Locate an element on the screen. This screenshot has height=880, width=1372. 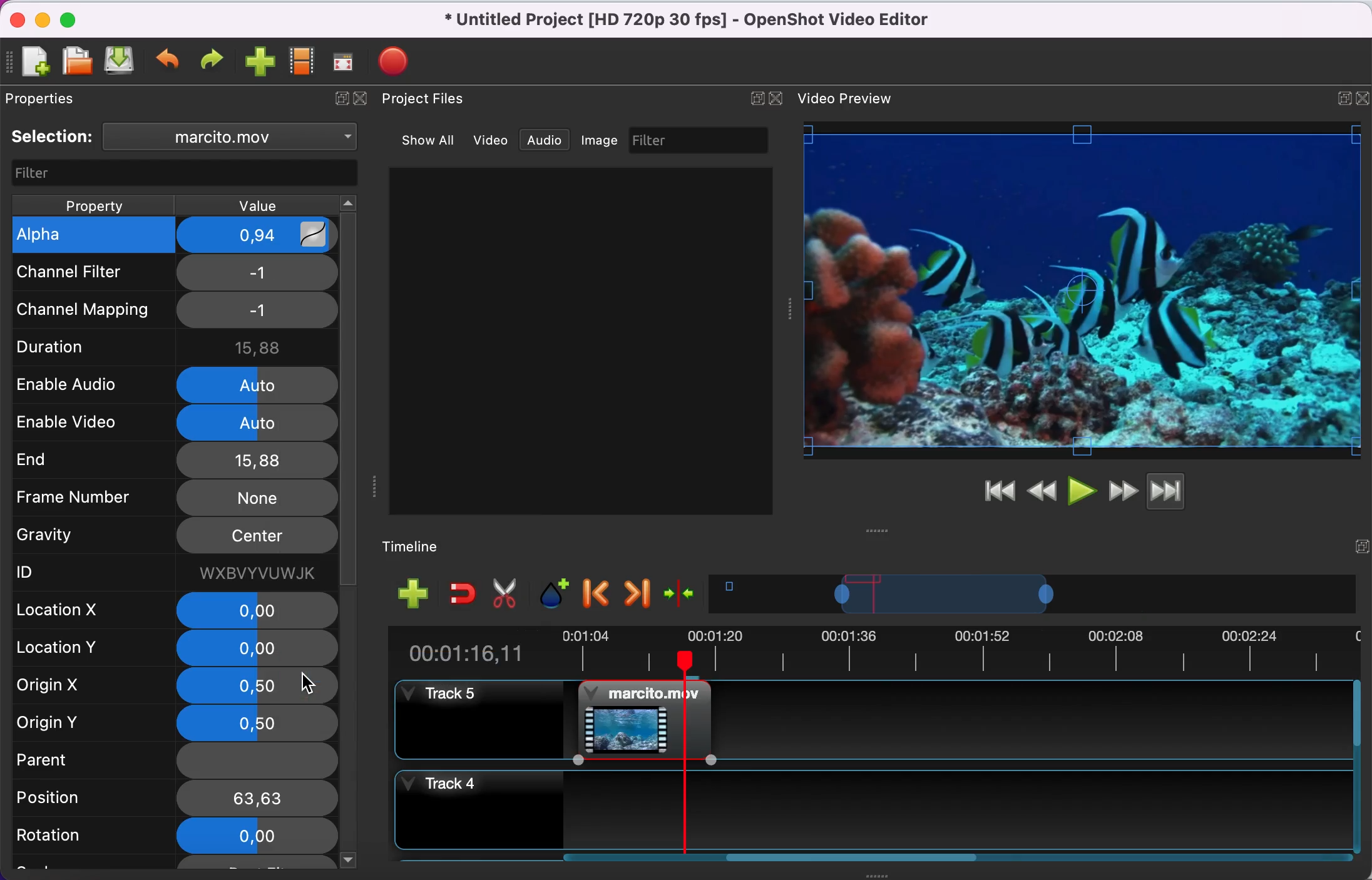
undo is located at coordinates (170, 62).